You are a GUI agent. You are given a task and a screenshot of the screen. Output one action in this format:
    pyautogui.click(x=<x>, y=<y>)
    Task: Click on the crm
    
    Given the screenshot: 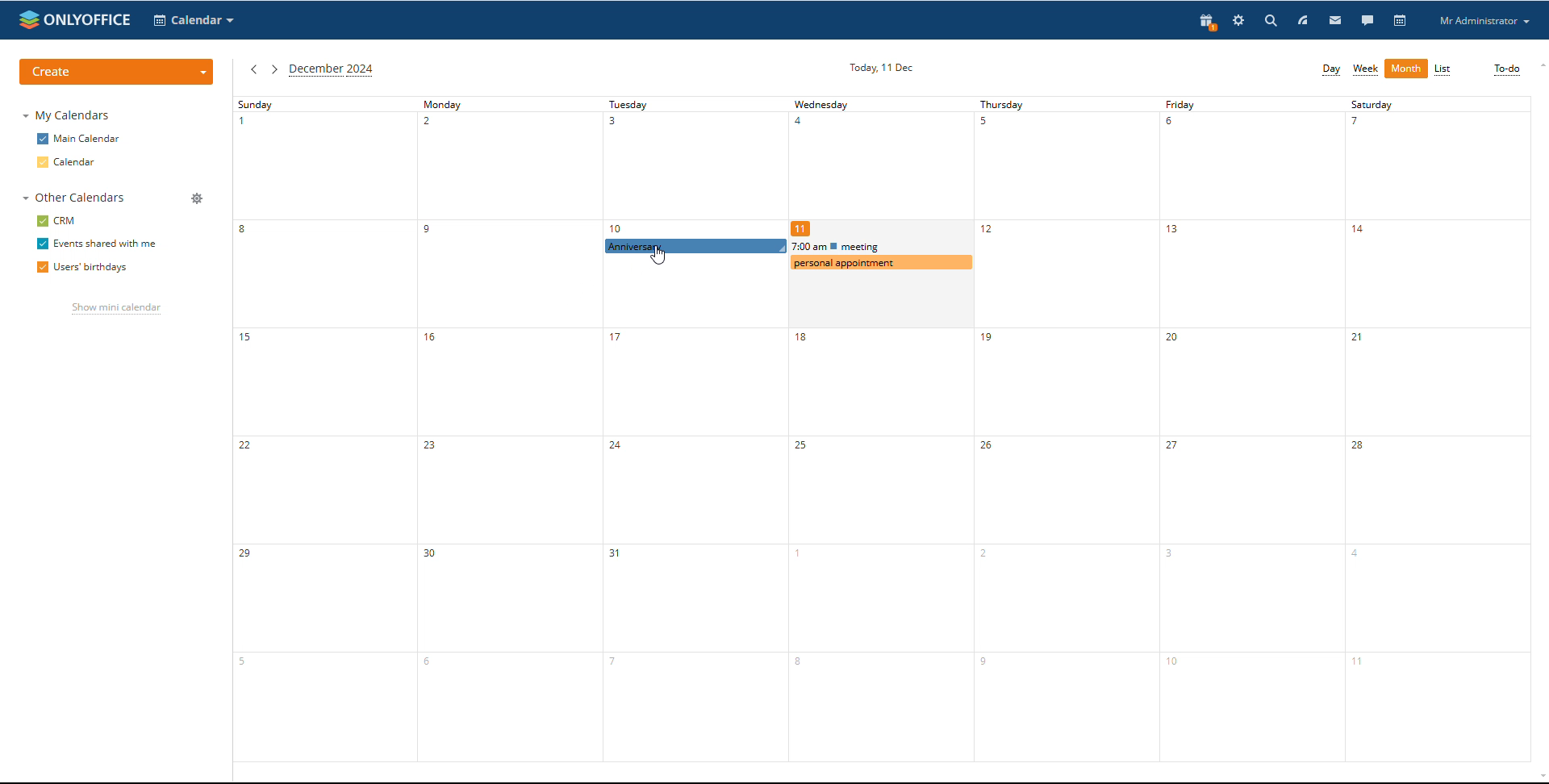 What is the action you would take?
    pyautogui.click(x=56, y=221)
    